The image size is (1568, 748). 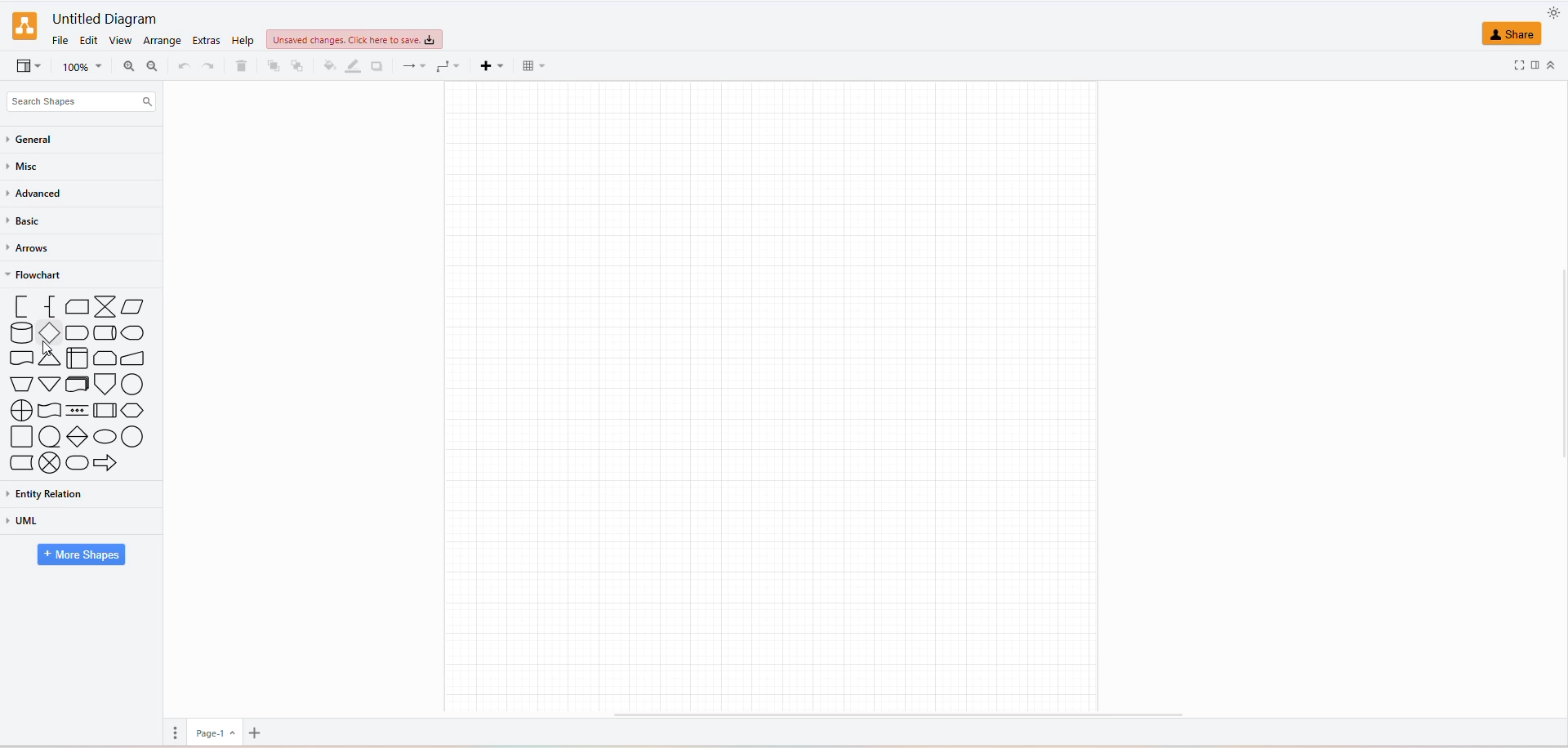 I want to click on TABLE, so click(x=529, y=65).